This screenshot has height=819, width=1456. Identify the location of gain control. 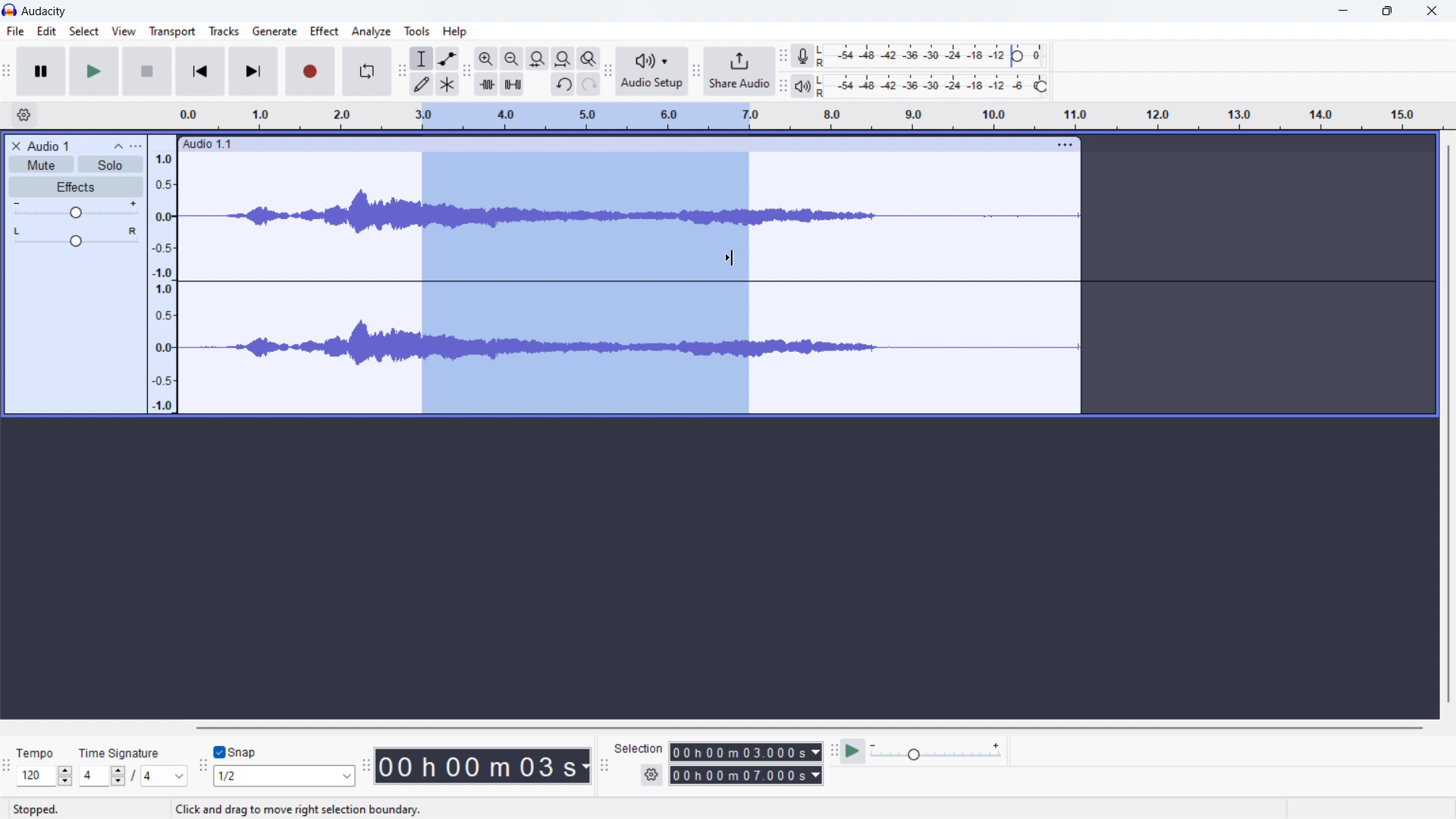
(75, 211).